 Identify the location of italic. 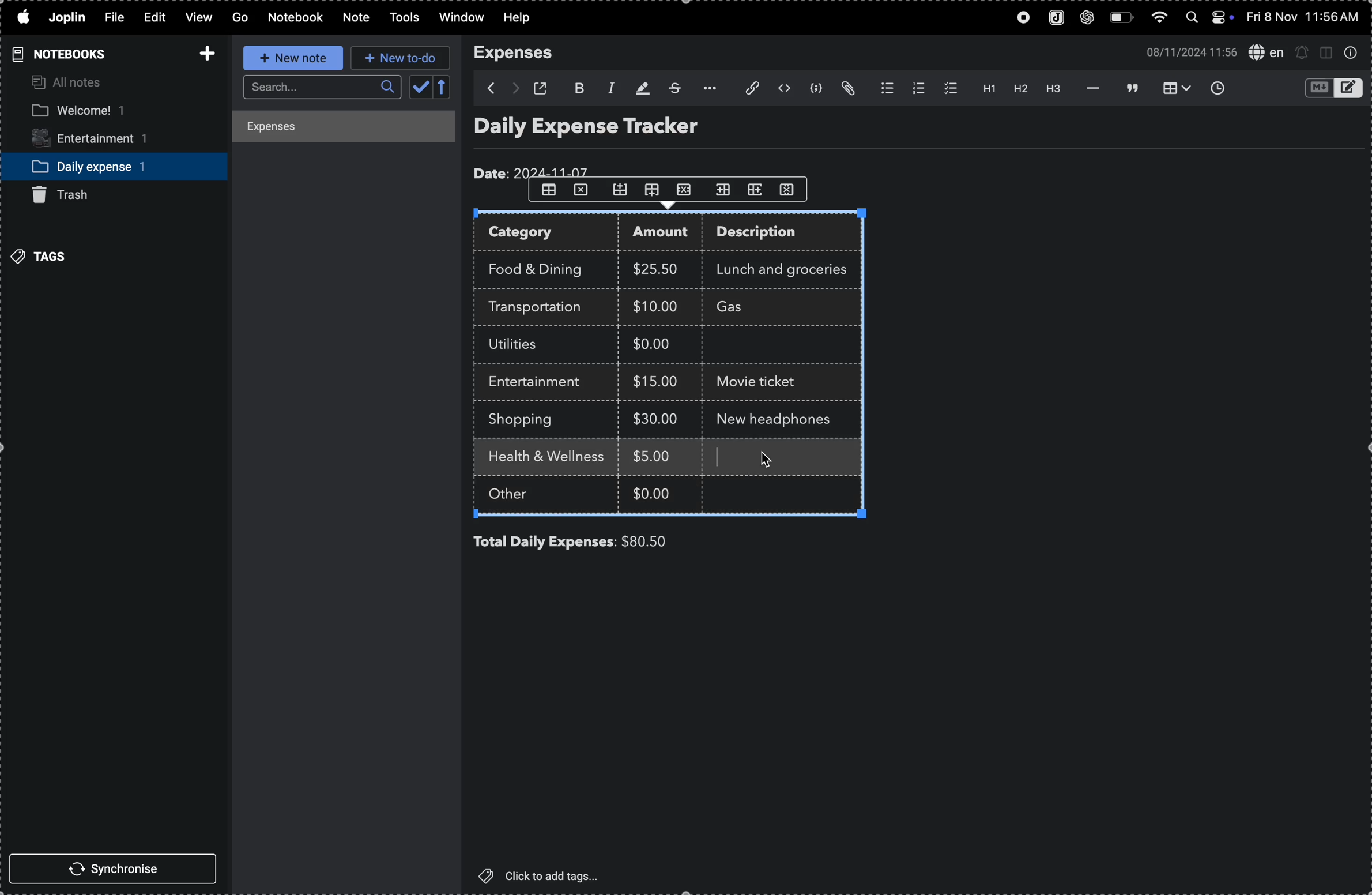
(608, 87).